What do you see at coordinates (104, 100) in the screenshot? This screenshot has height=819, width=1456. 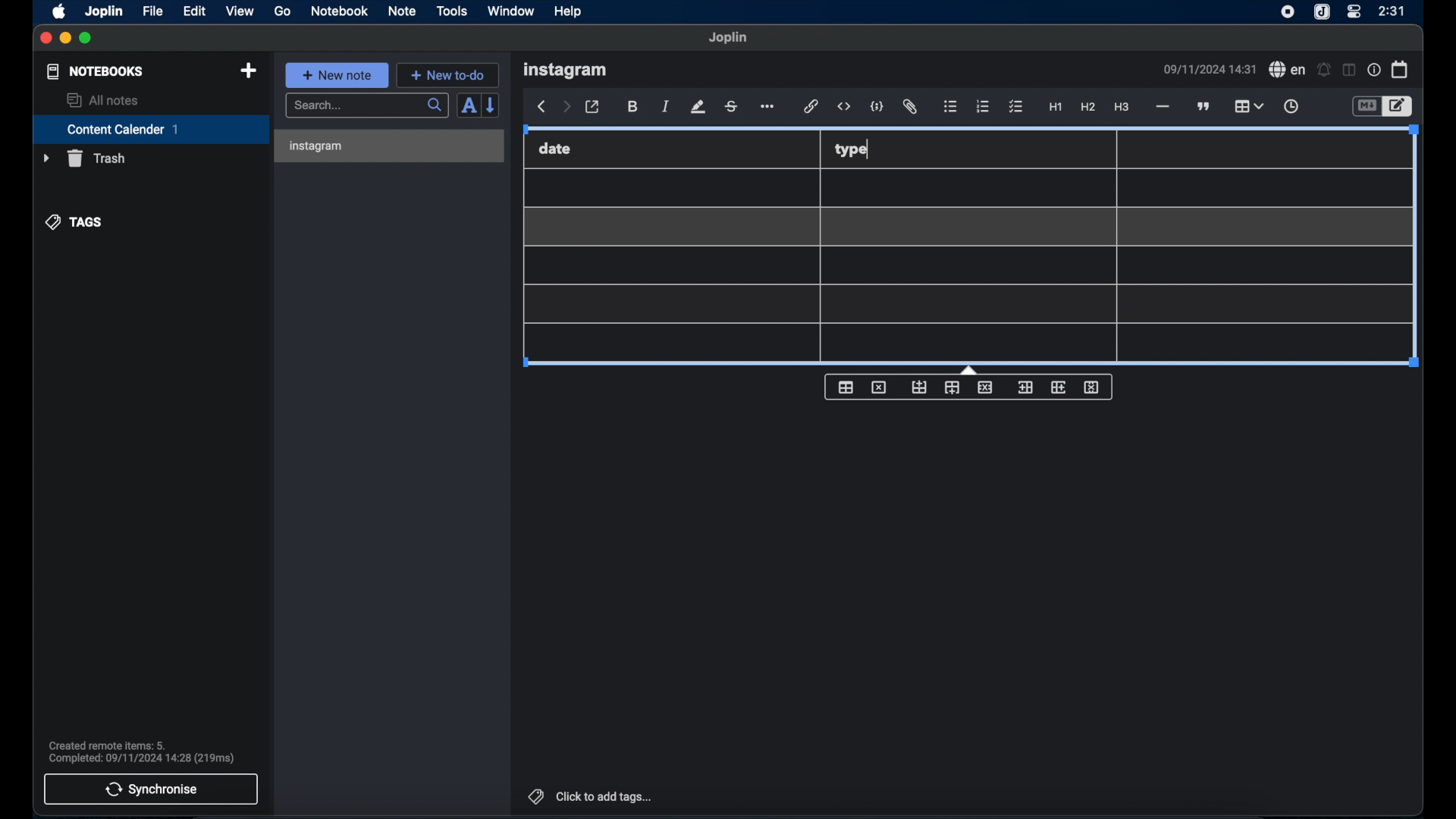 I see `allnotes` at bounding box center [104, 100].